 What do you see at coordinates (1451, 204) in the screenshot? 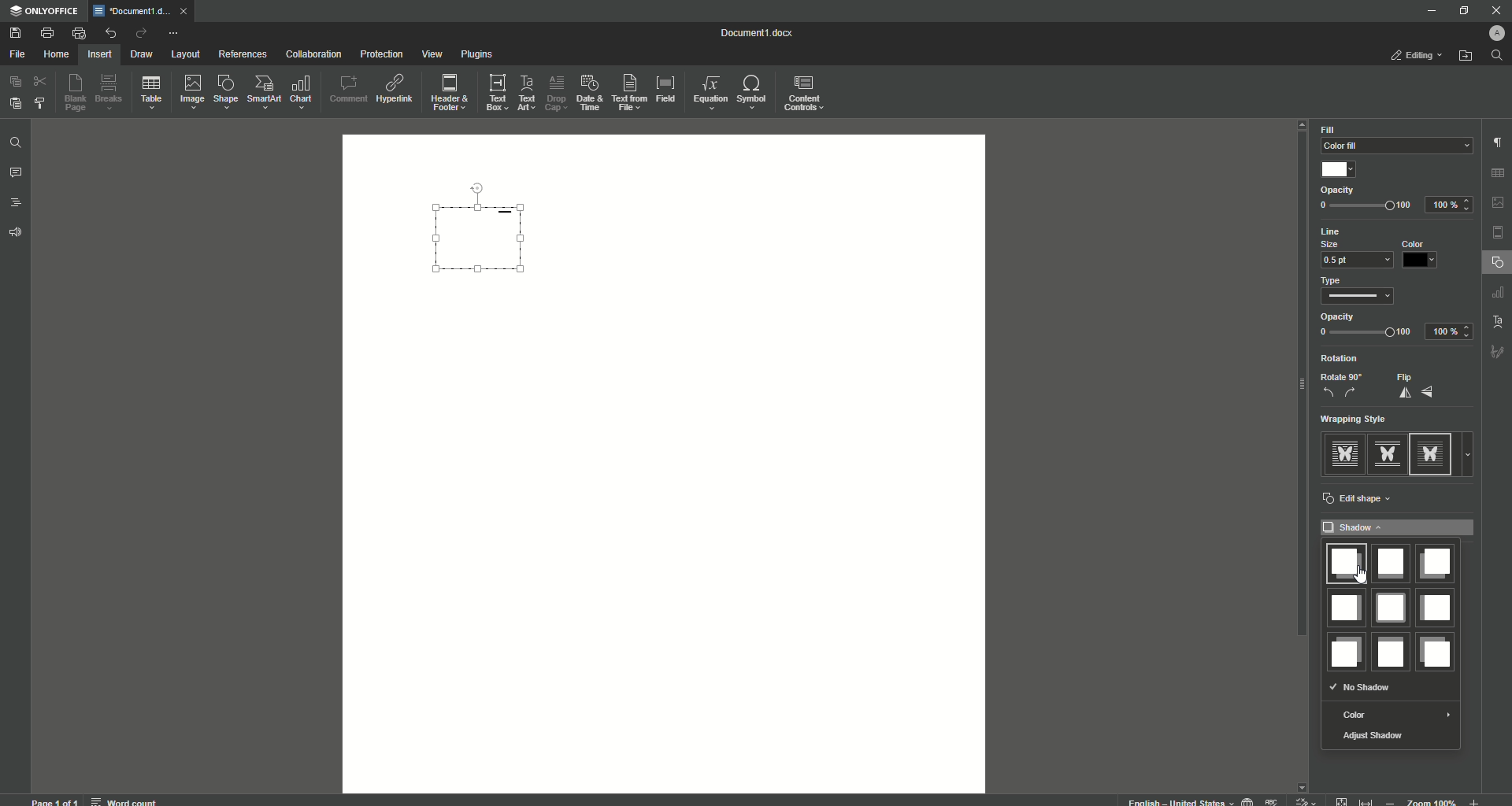
I see `100%` at bounding box center [1451, 204].